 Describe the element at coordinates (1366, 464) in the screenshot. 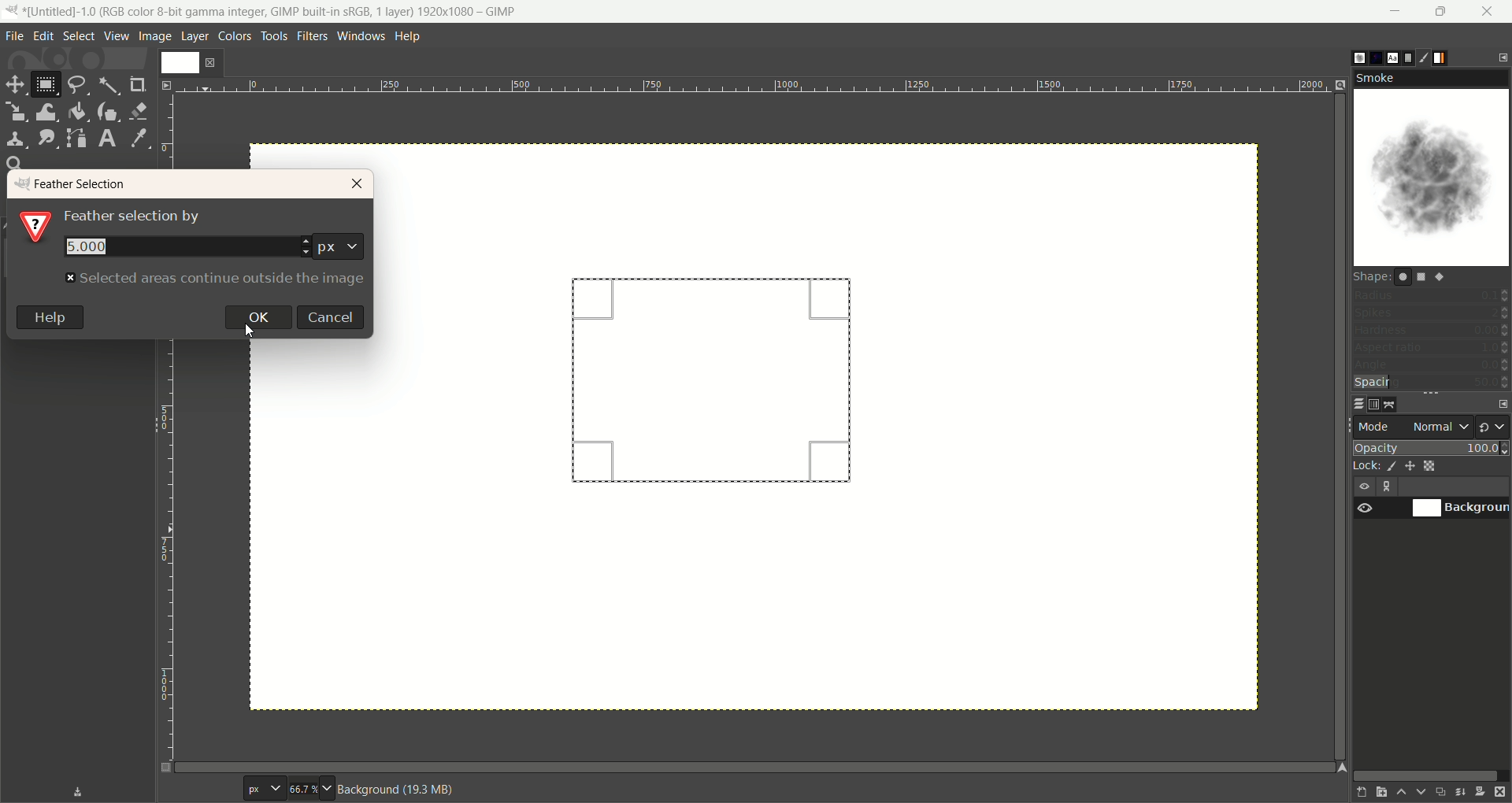

I see `lock` at that location.